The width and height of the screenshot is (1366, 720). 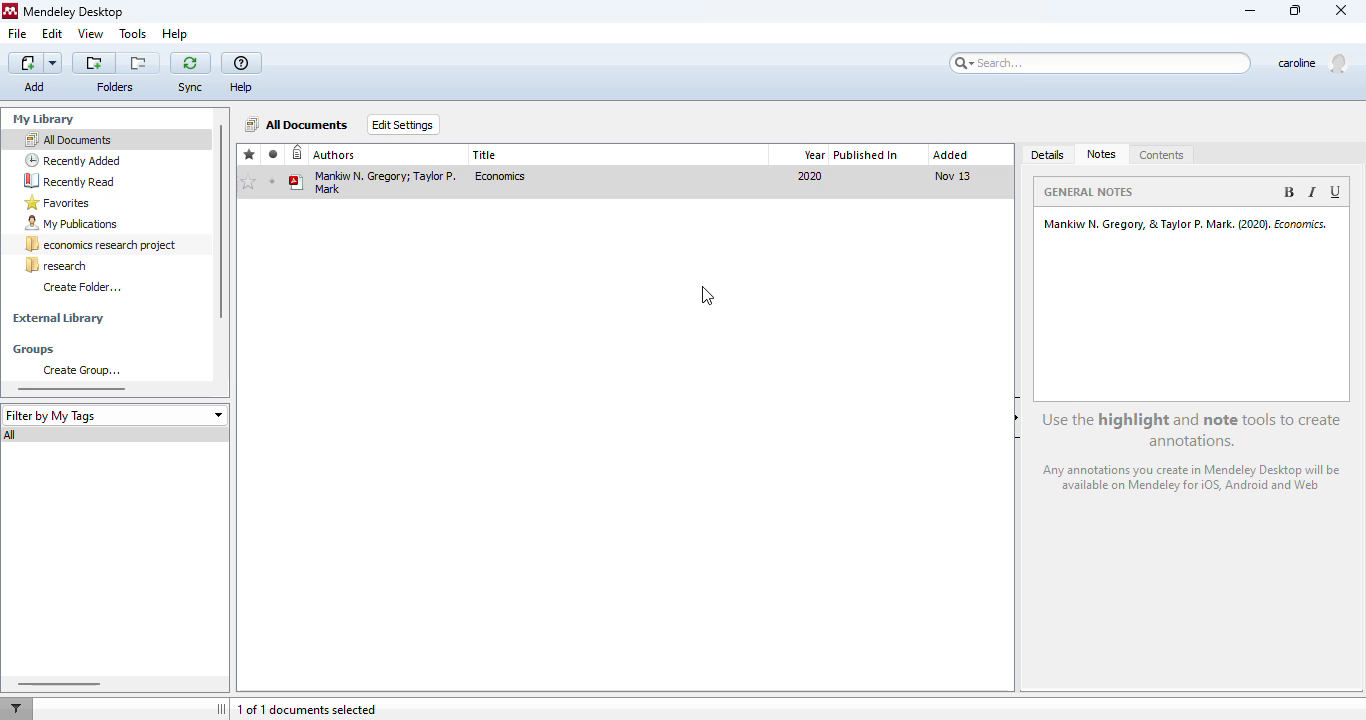 I want to click on year, so click(x=814, y=155).